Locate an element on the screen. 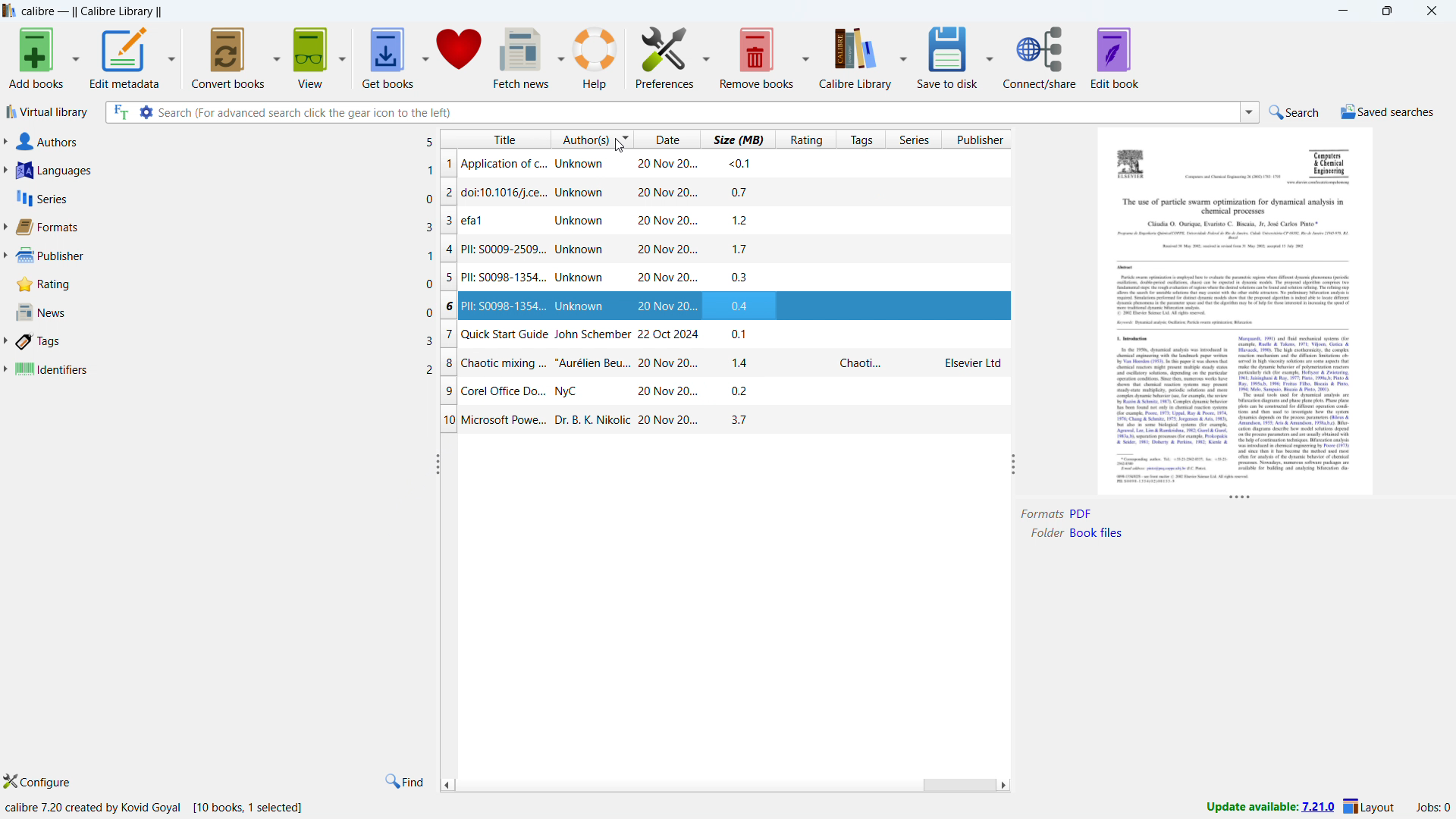 Image resolution: width=1456 pixels, height=819 pixels. add books options is located at coordinates (75, 57).